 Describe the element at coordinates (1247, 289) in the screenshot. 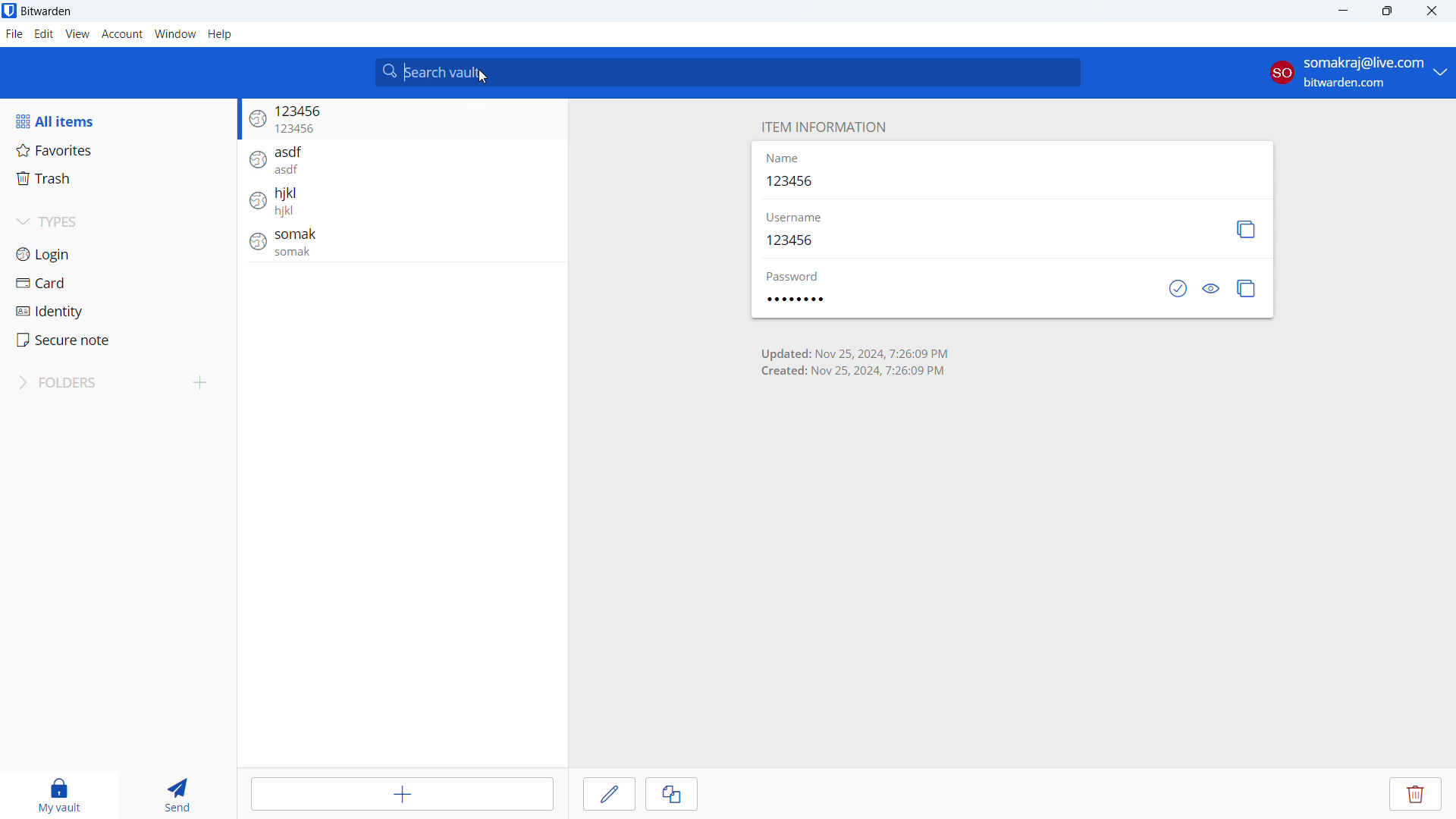

I see `copy password` at that location.